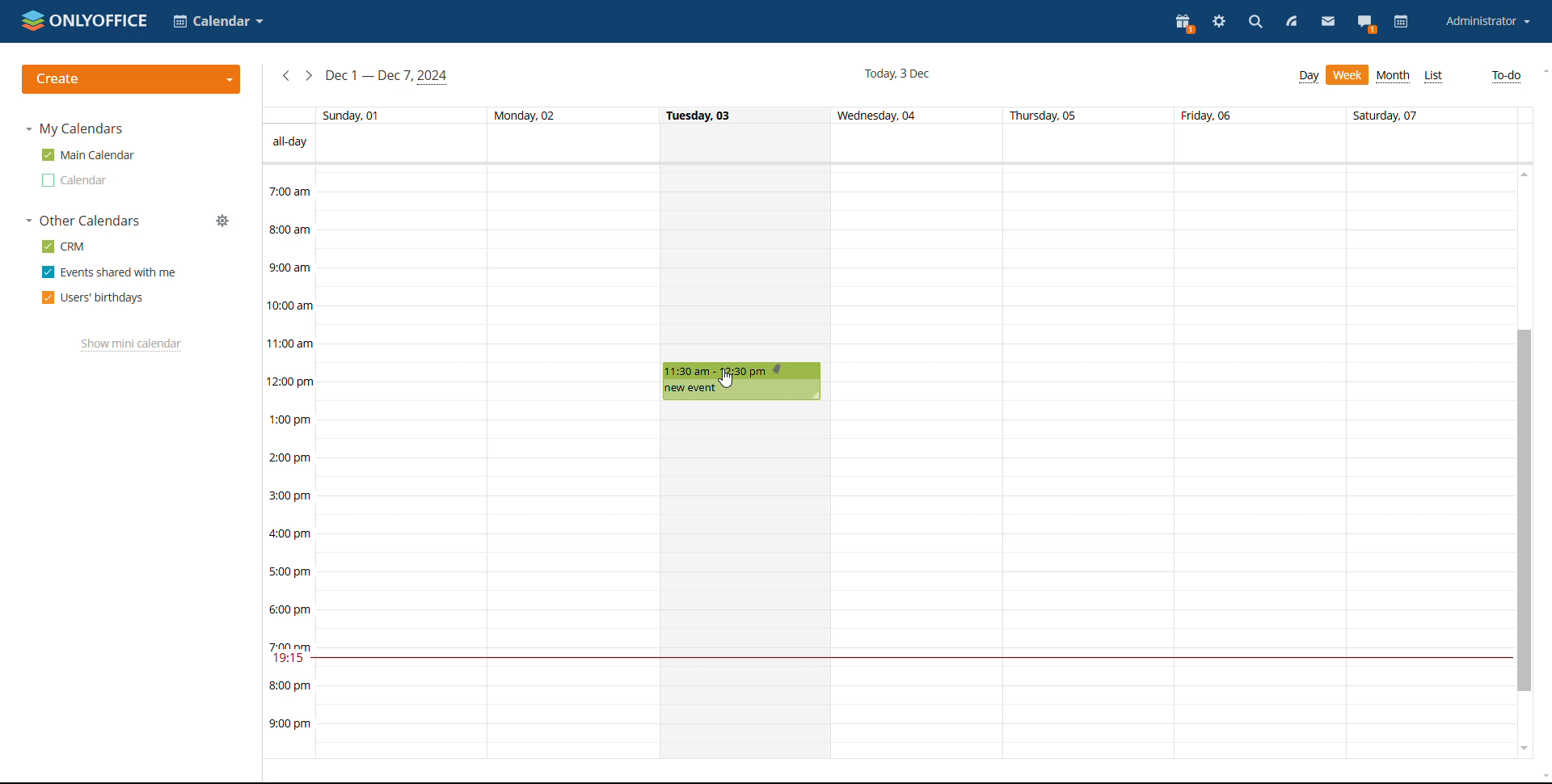 The height and width of the screenshot is (784, 1552). Describe the element at coordinates (1292, 23) in the screenshot. I see `feed` at that location.